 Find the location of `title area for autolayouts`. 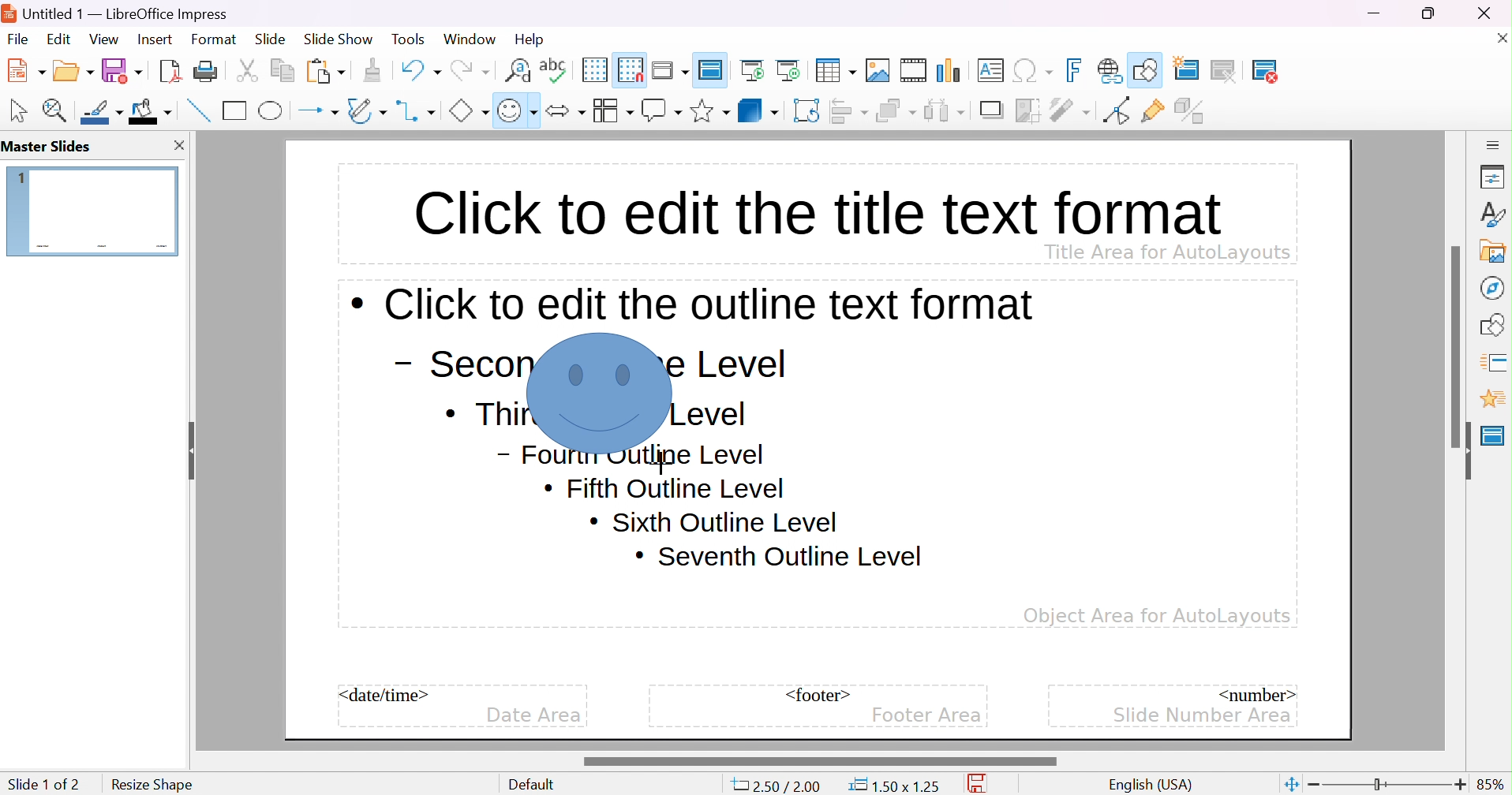

title area for autolayouts is located at coordinates (1166, 251).